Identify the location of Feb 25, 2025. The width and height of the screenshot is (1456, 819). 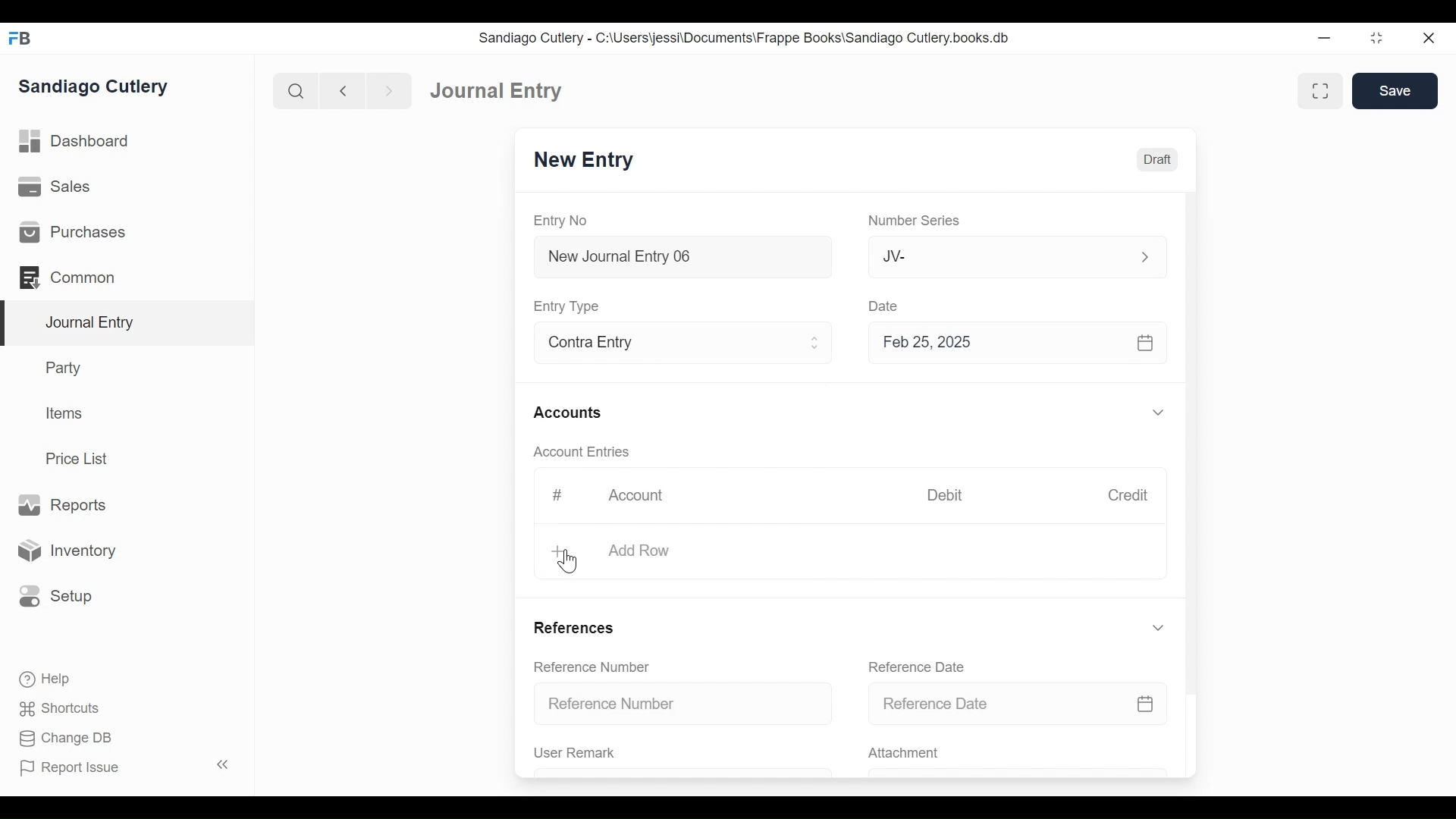
(1011, 342).